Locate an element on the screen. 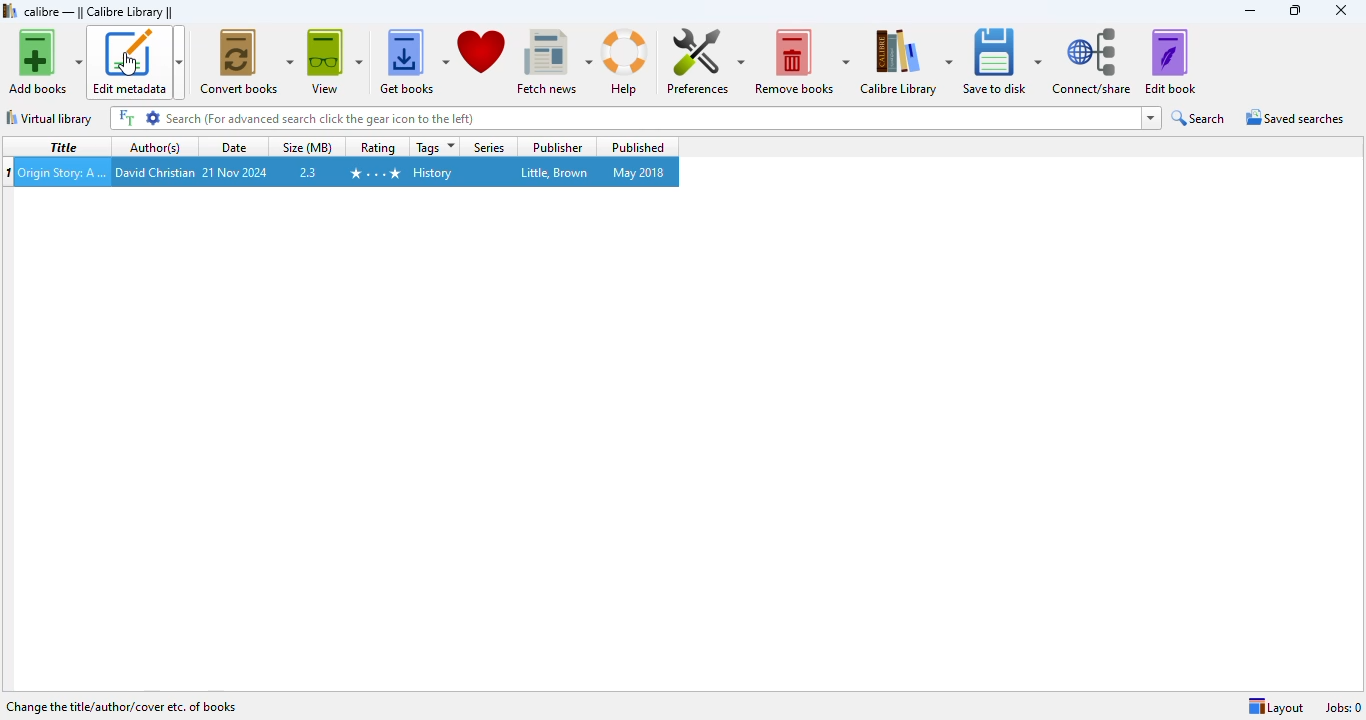 This screenshot has height=720, width=1366. preferences is located at coordinates (705, 60).